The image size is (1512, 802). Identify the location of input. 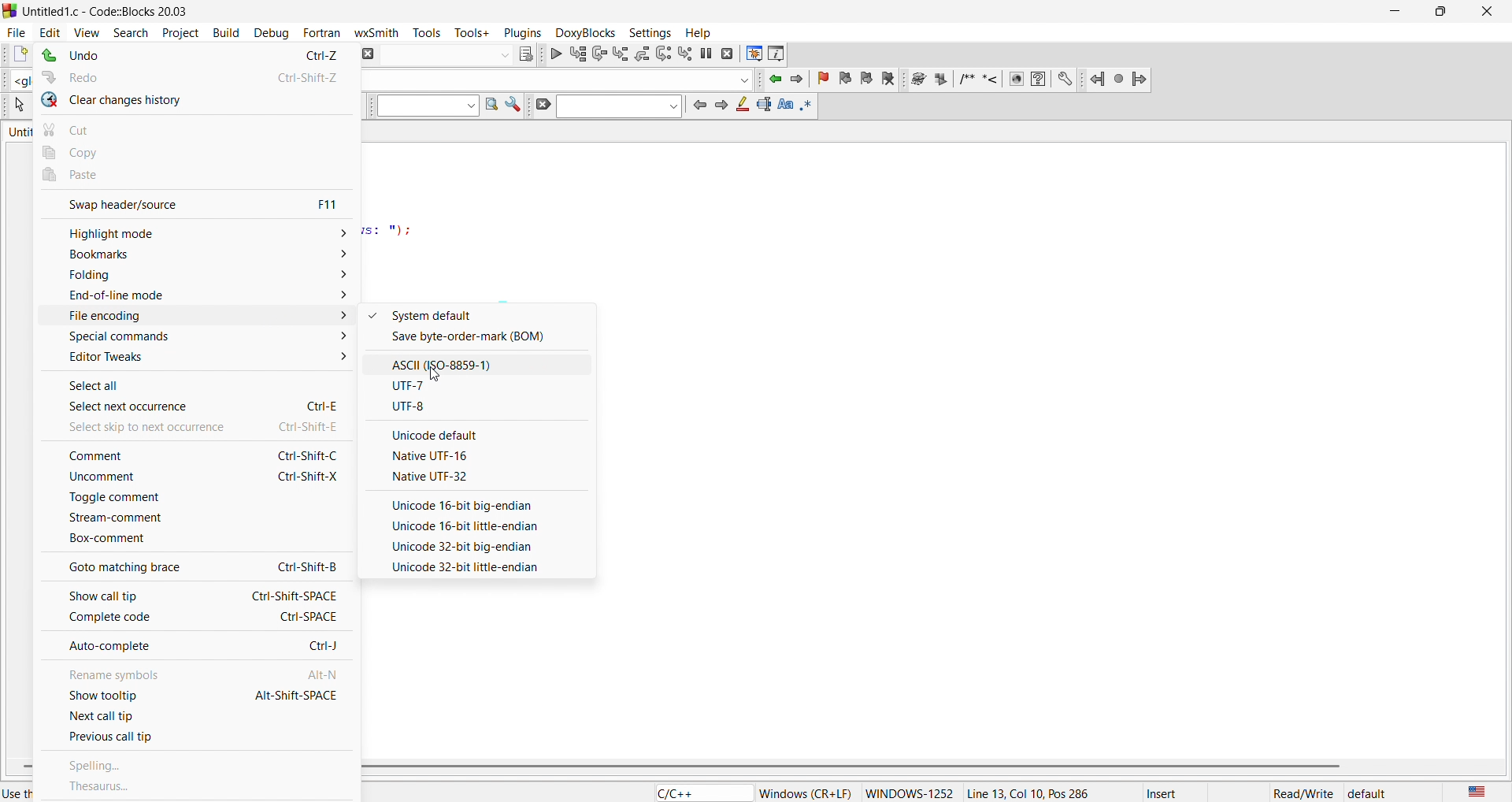
(619, 106).